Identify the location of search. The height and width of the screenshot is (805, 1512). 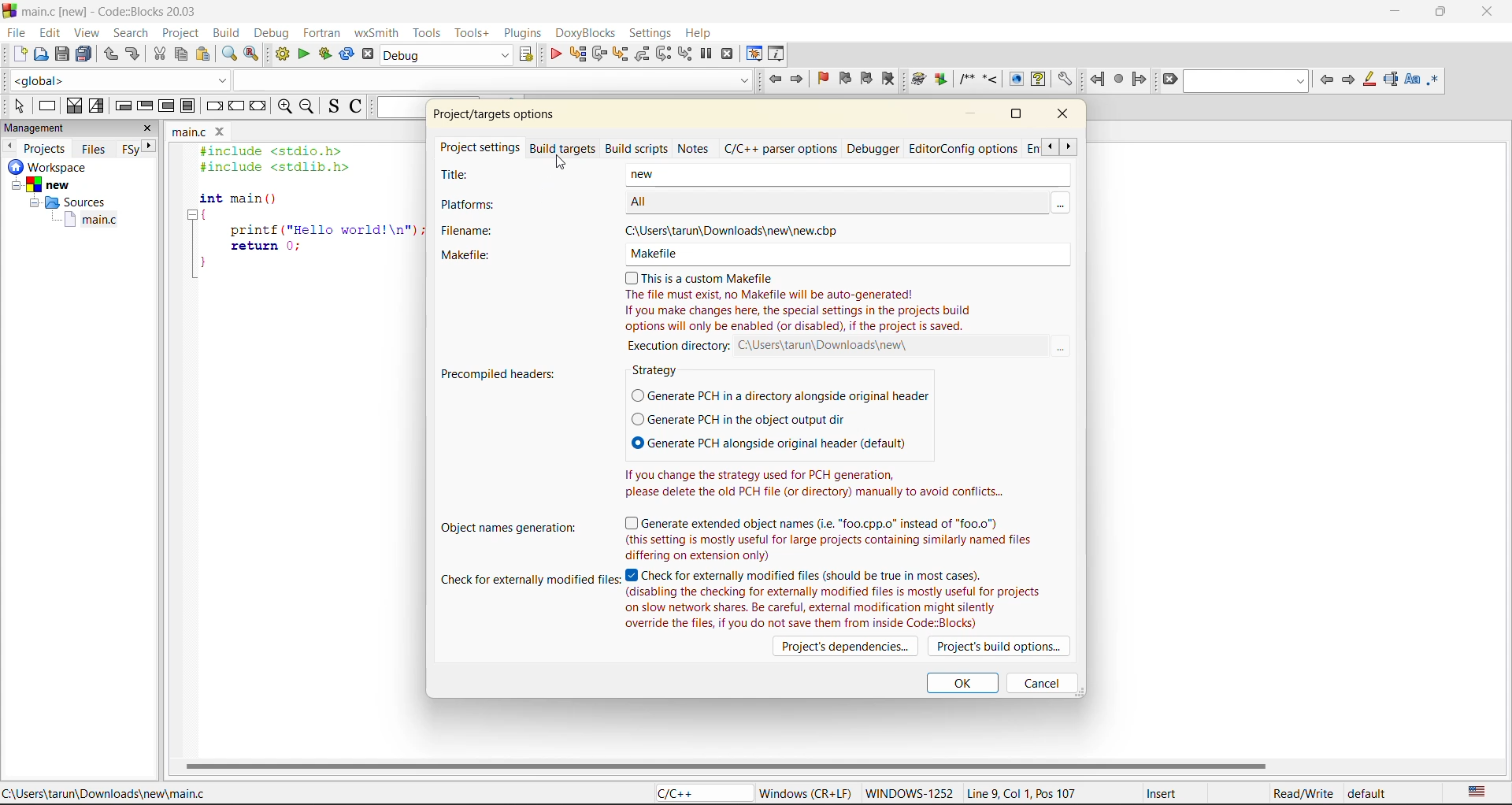
(1247, 82).